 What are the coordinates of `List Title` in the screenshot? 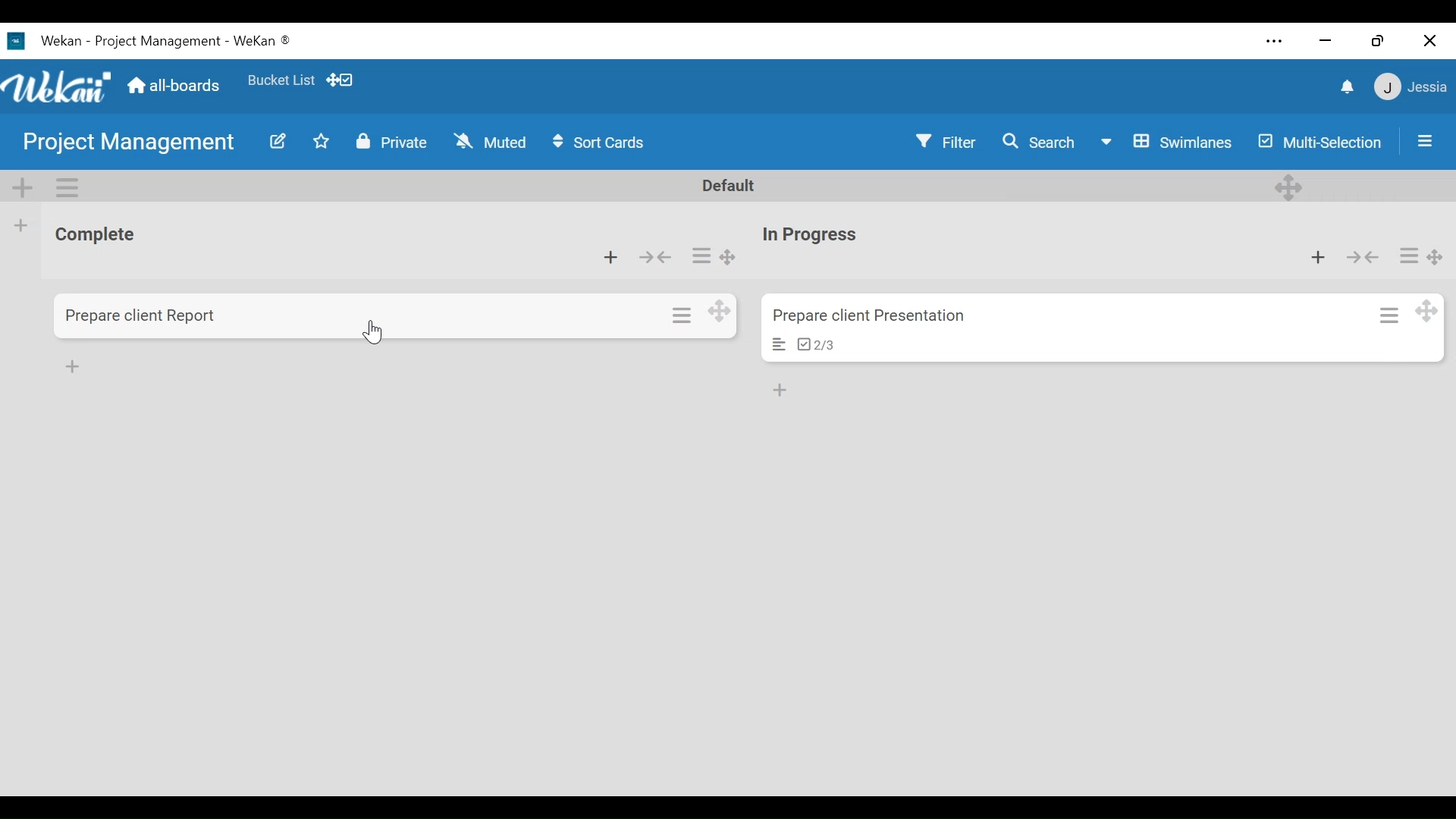 It's located at (808, 235).